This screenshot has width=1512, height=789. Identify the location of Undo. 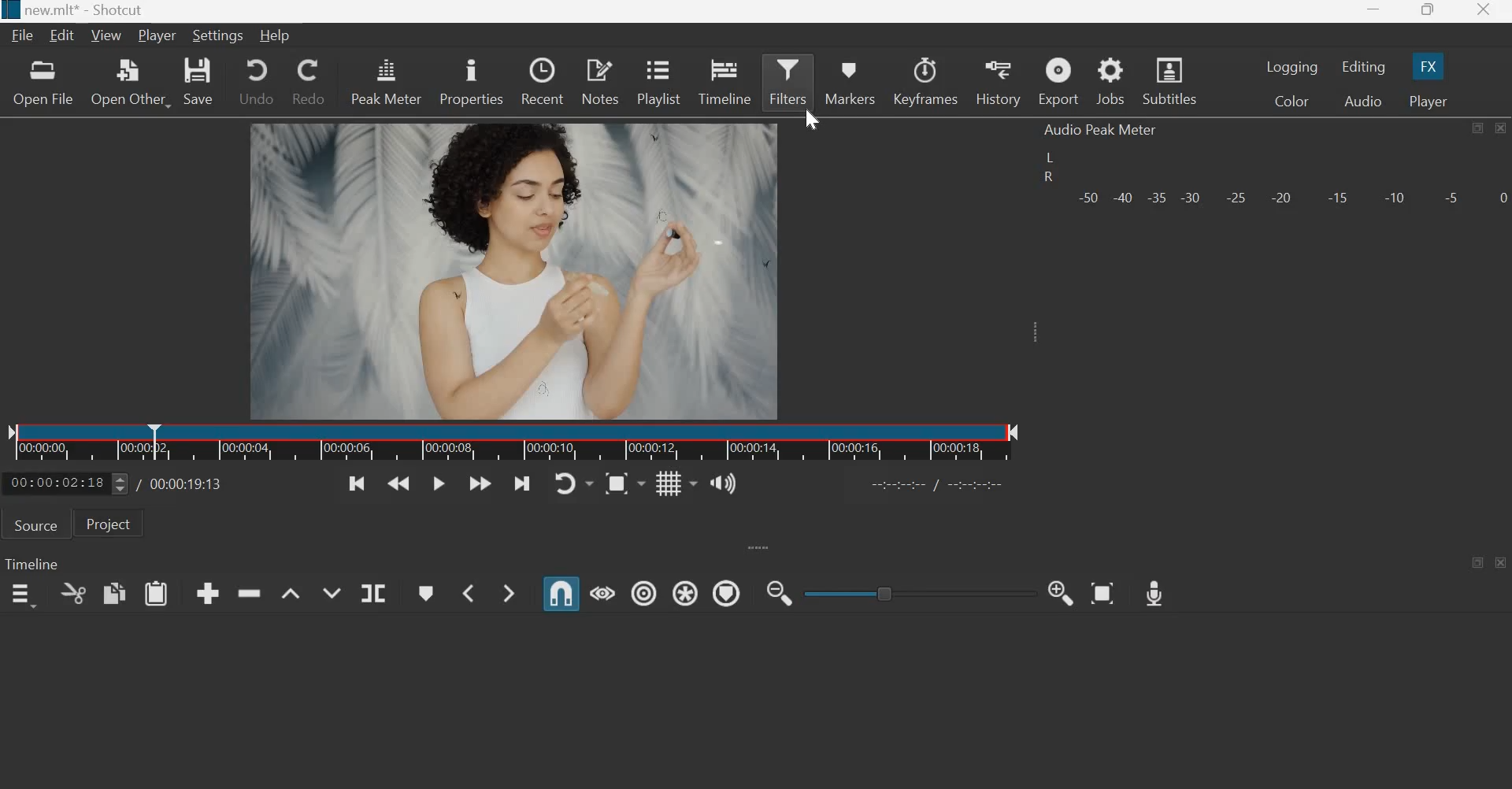
(254, 82).